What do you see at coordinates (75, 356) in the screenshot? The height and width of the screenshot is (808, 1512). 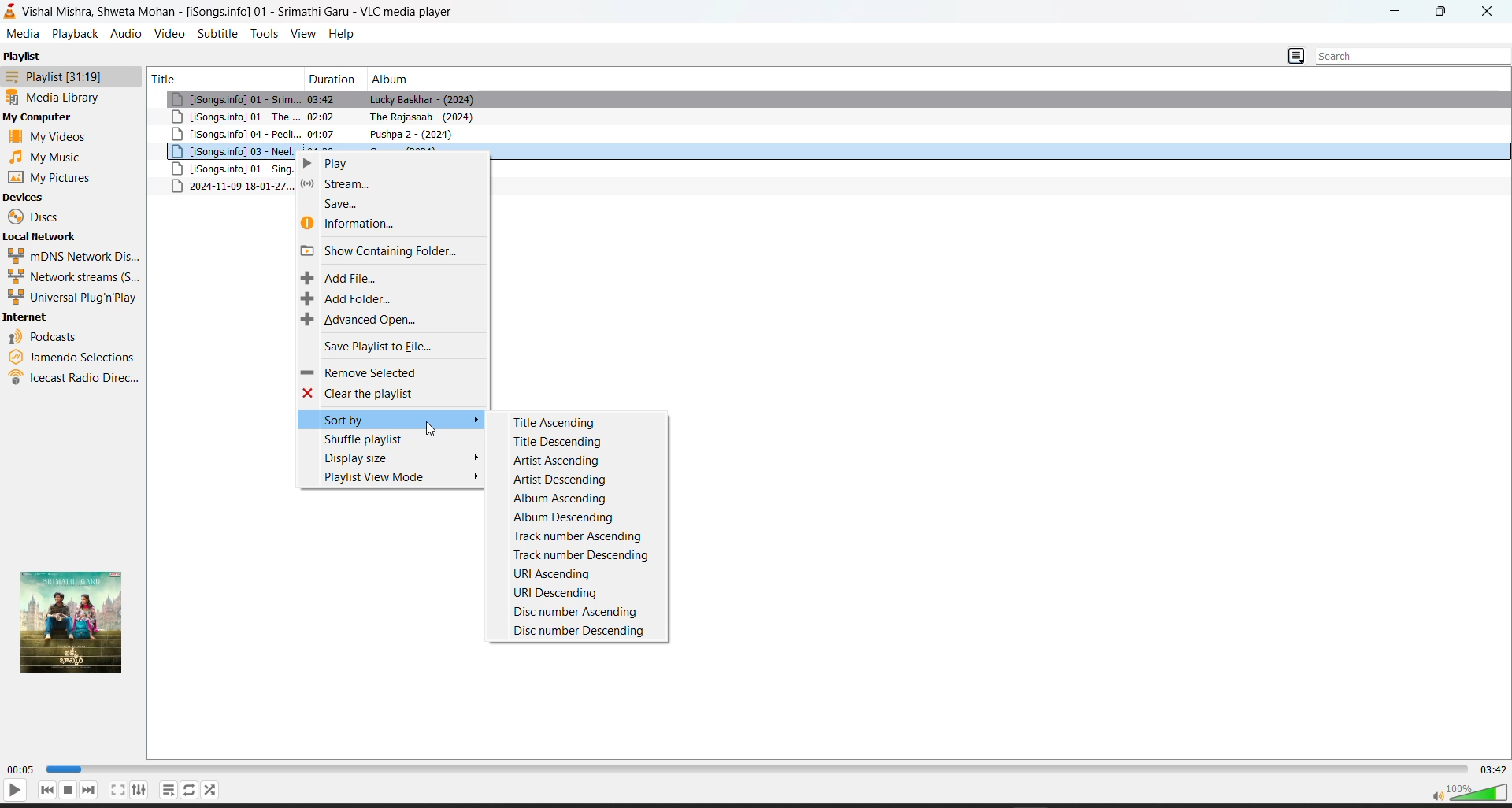 I see `jamendo selection` at bounding box center [75, 356].